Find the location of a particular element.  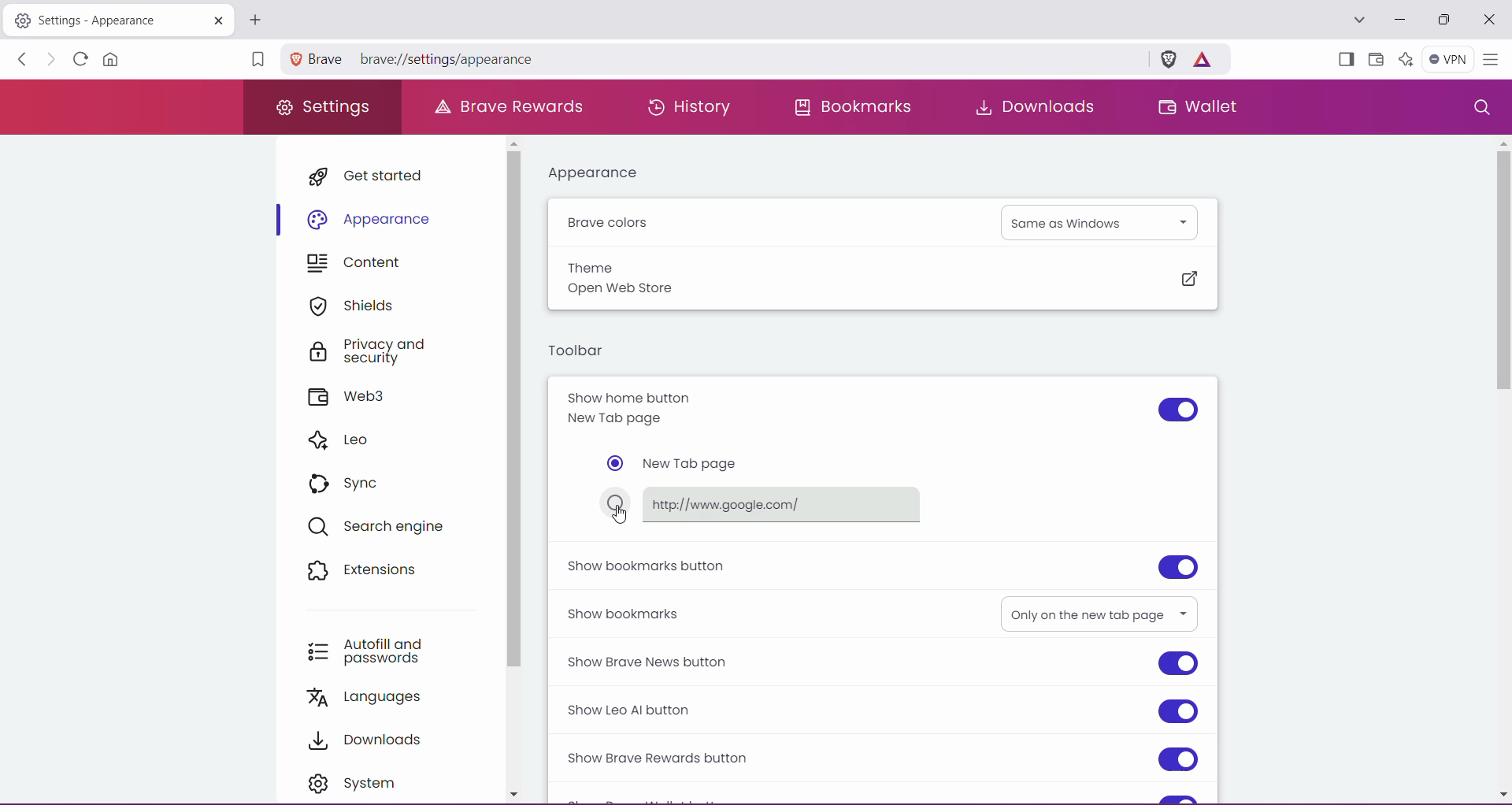

Show bookmarks button is located at coordinates (648, 566).